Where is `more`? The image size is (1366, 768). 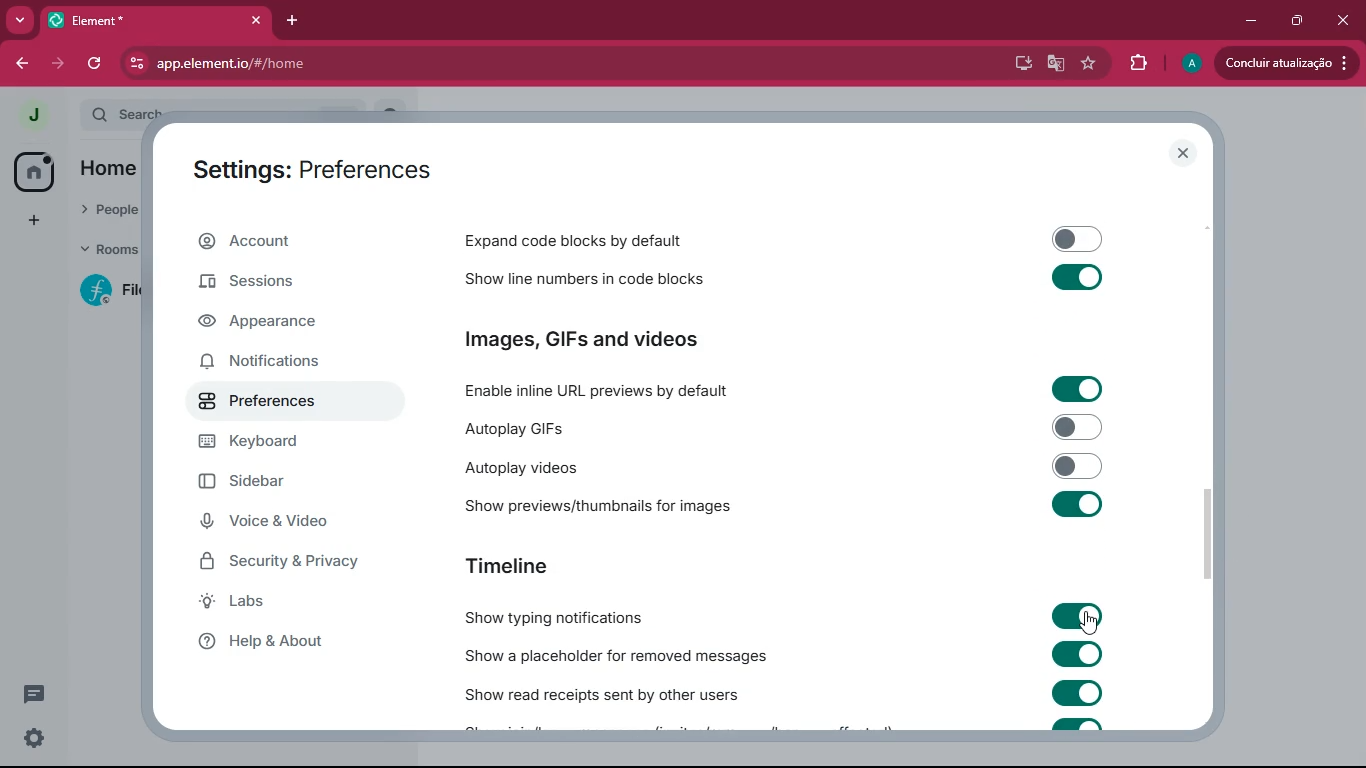 more is located at coordinates (18, 20).